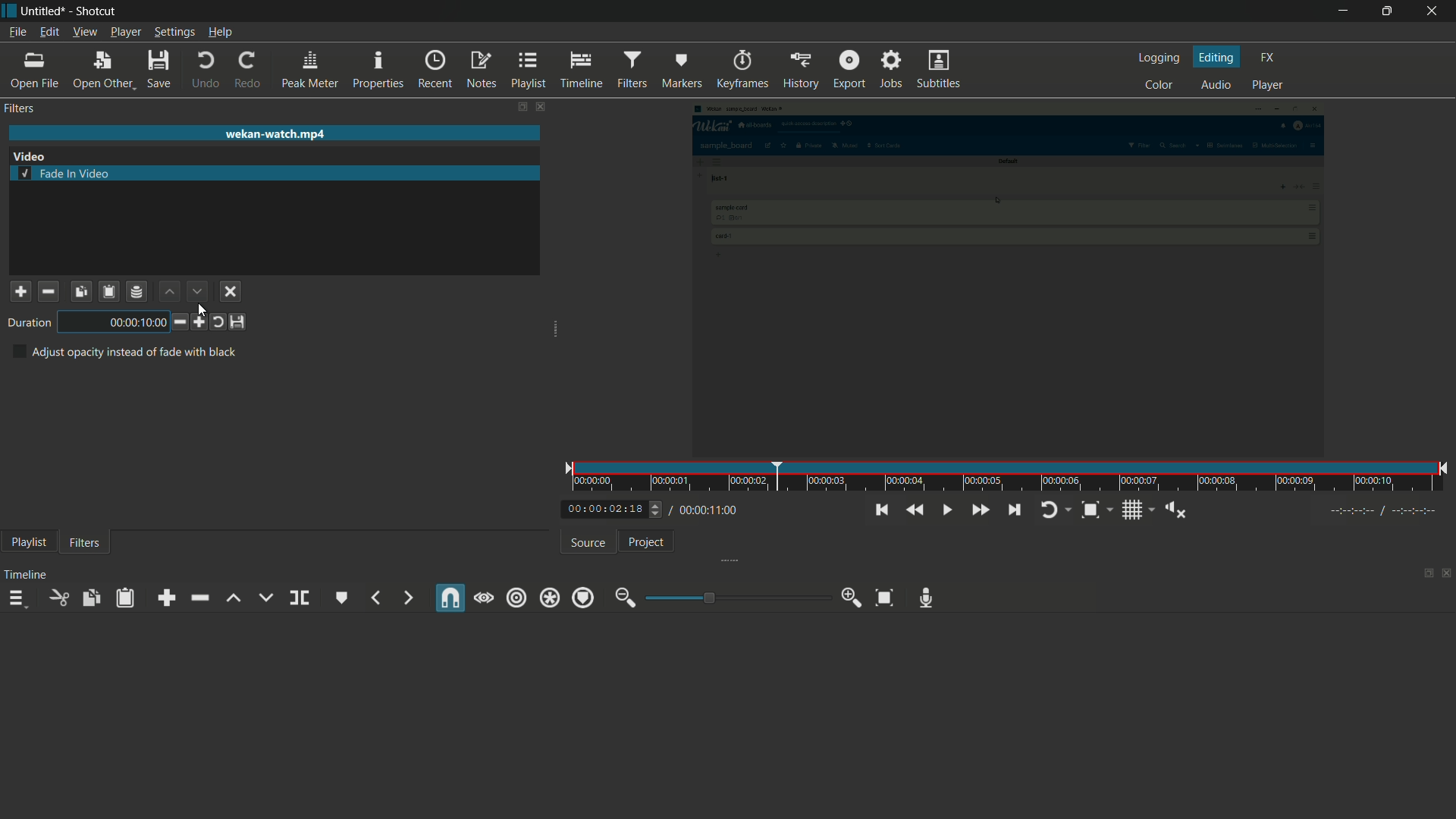  What do you see at coordinates (310, 68) in the screenshot?
I see `peak meter` at bounding box center [310, 68].